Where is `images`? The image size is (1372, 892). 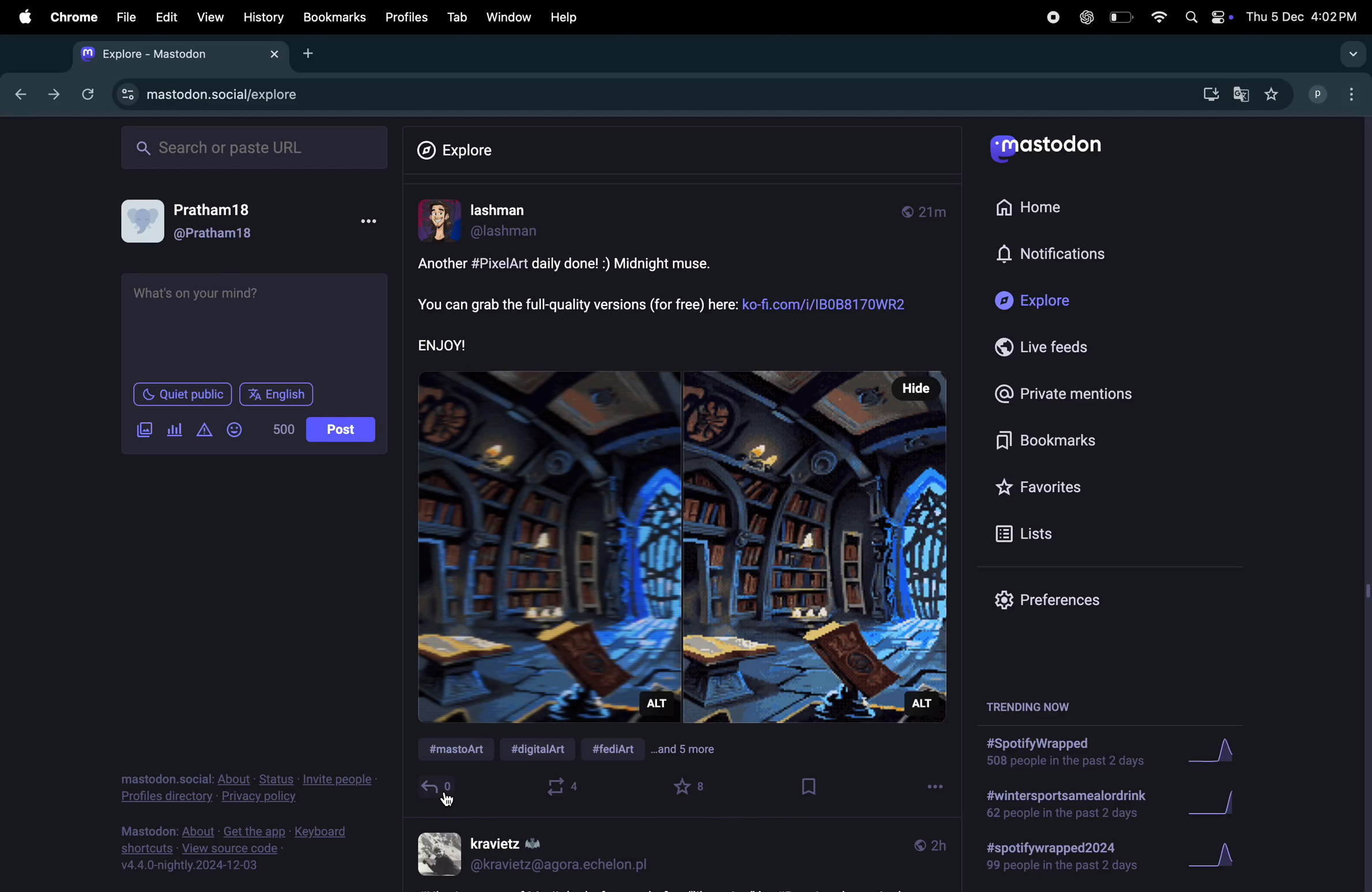
images is located at coordinates (147, 429).